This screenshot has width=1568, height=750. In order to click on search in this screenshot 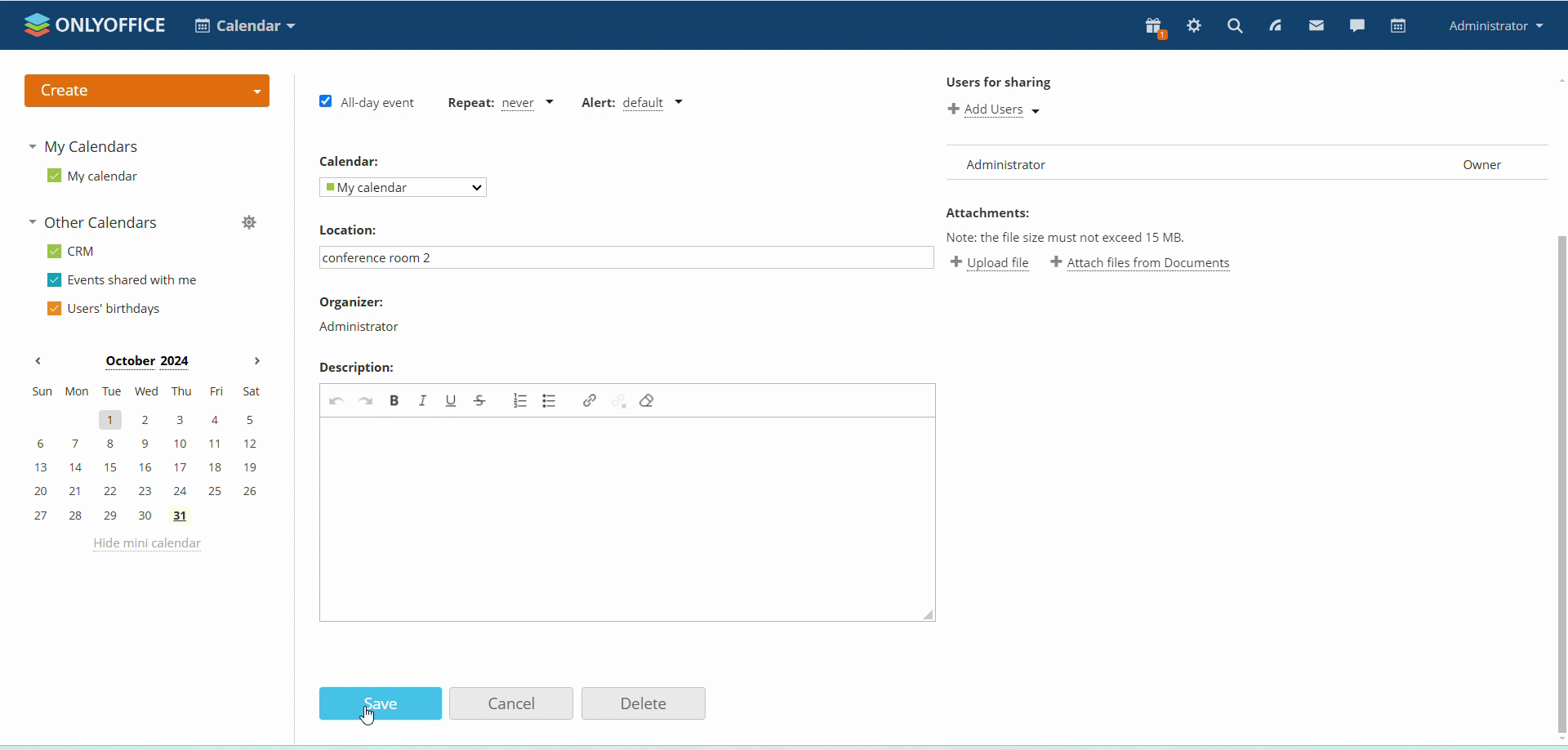, I will do `click(1235, 25)`.